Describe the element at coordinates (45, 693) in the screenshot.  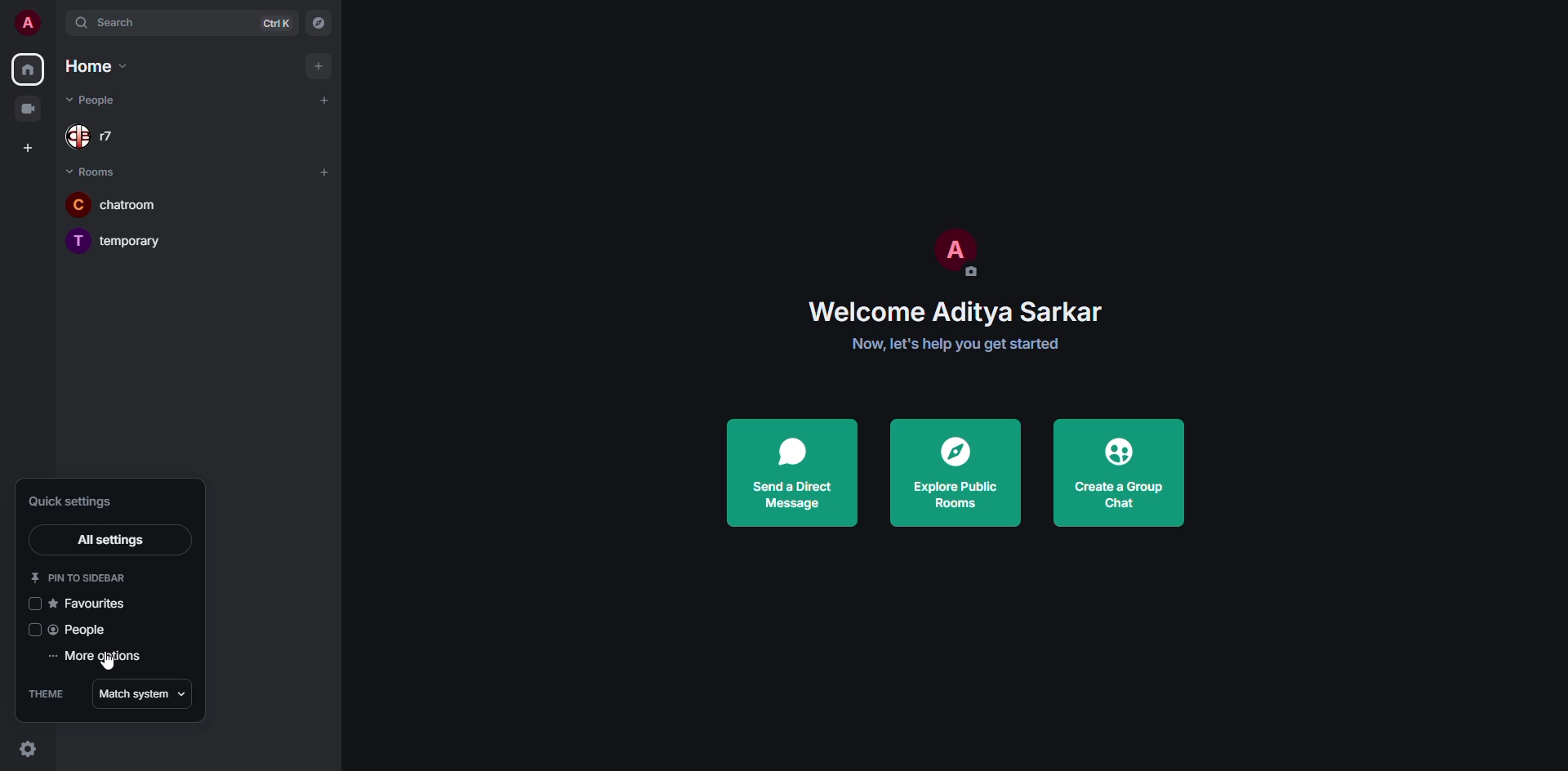
I see `theme` at that location.